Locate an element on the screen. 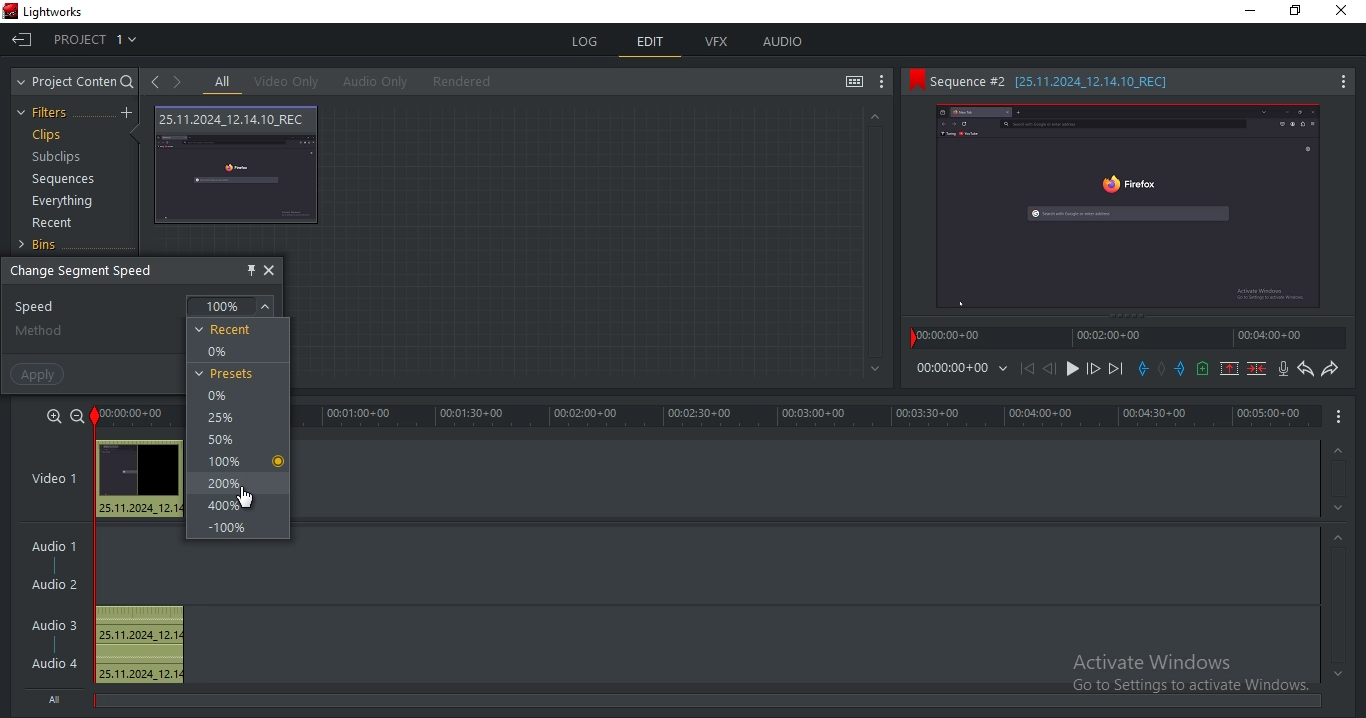  Preview is located at coordinates (1136, 211).